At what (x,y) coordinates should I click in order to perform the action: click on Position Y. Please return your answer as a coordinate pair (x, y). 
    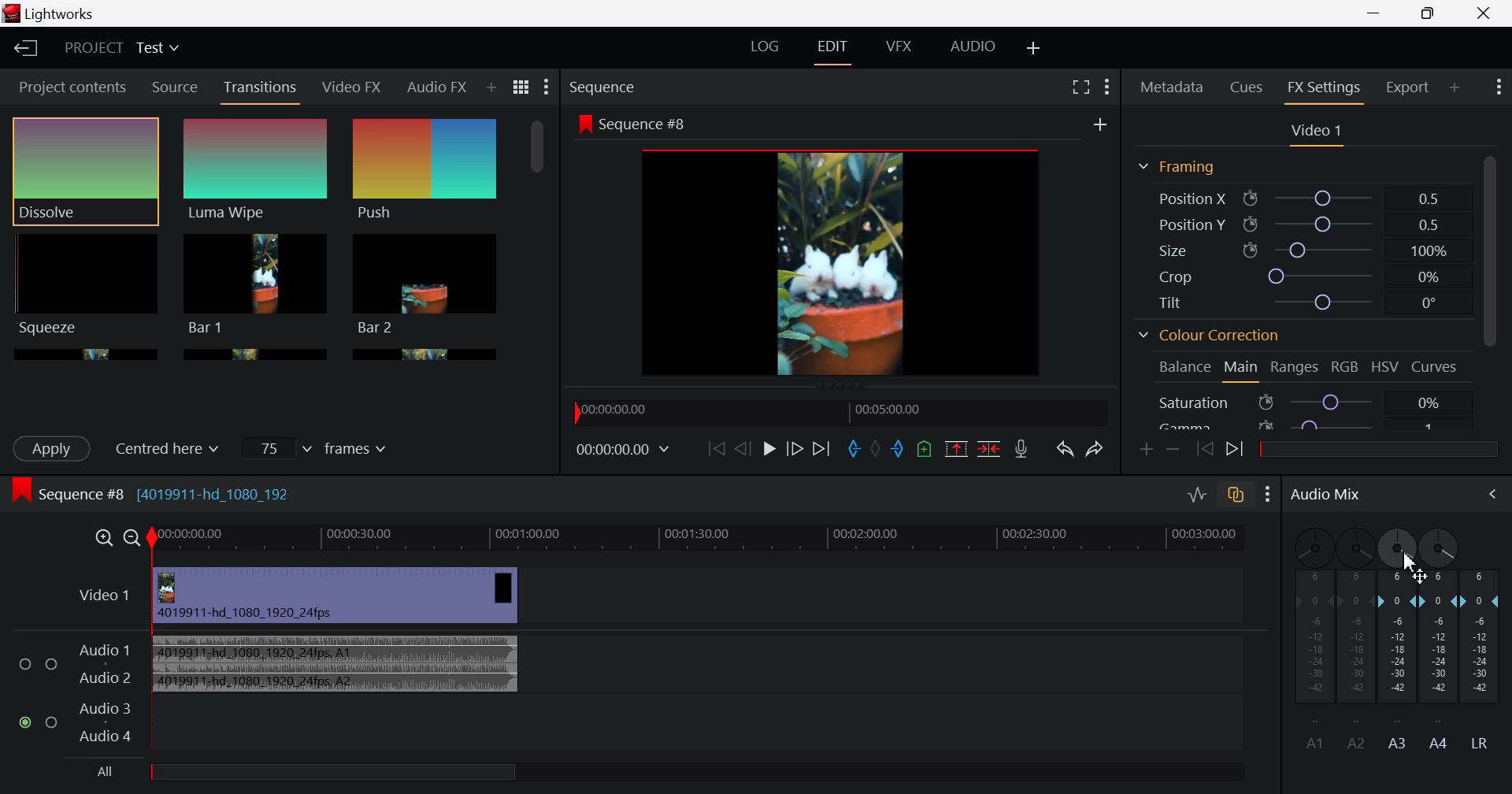
    Looking at the image, I should click on (1301, 221).